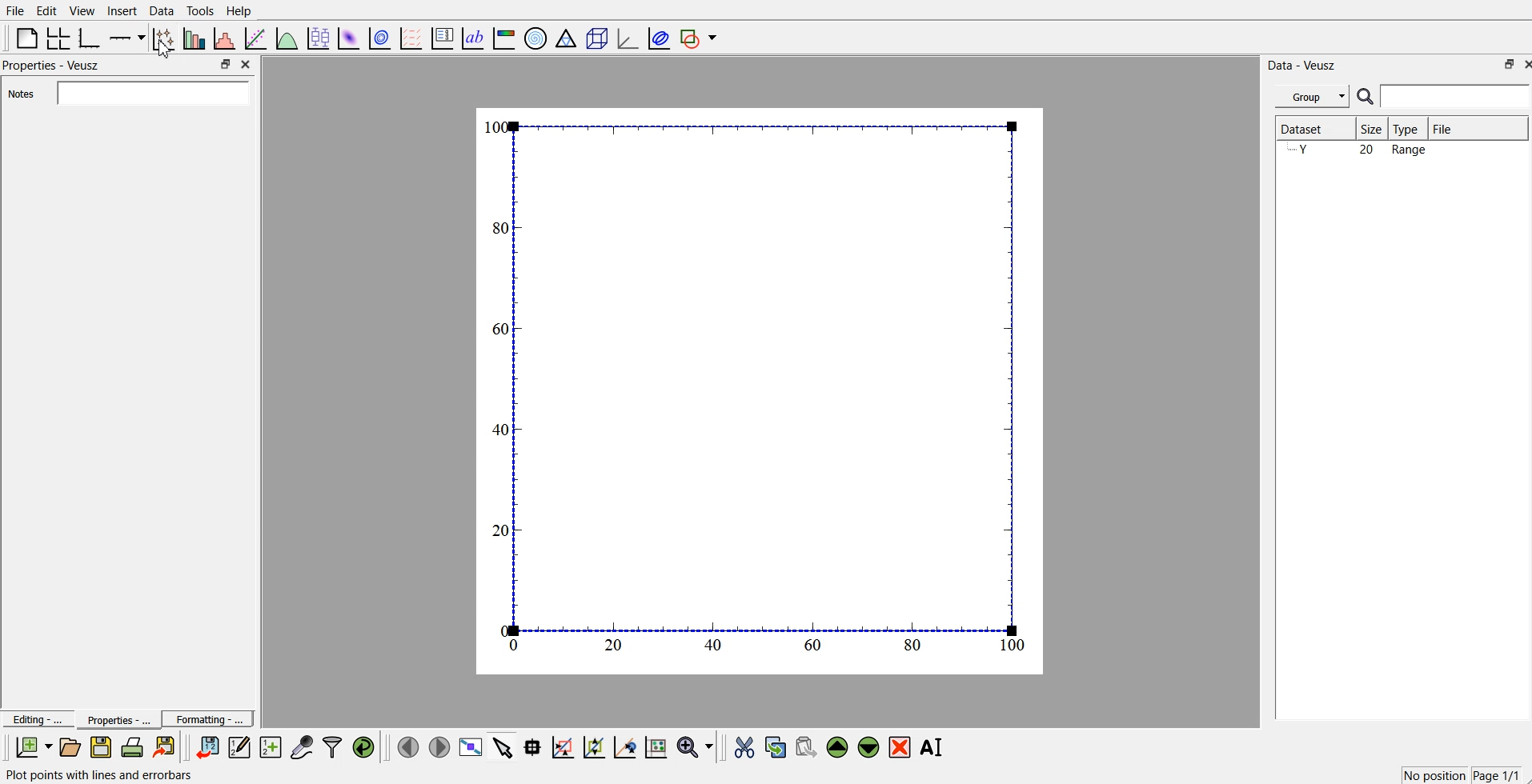 This screenshot has width=1532, height=784. What do you see at coordinates (1308, 64) in the screenshot?
I see `Data - Veusz` at bounding box center [1308, 64].